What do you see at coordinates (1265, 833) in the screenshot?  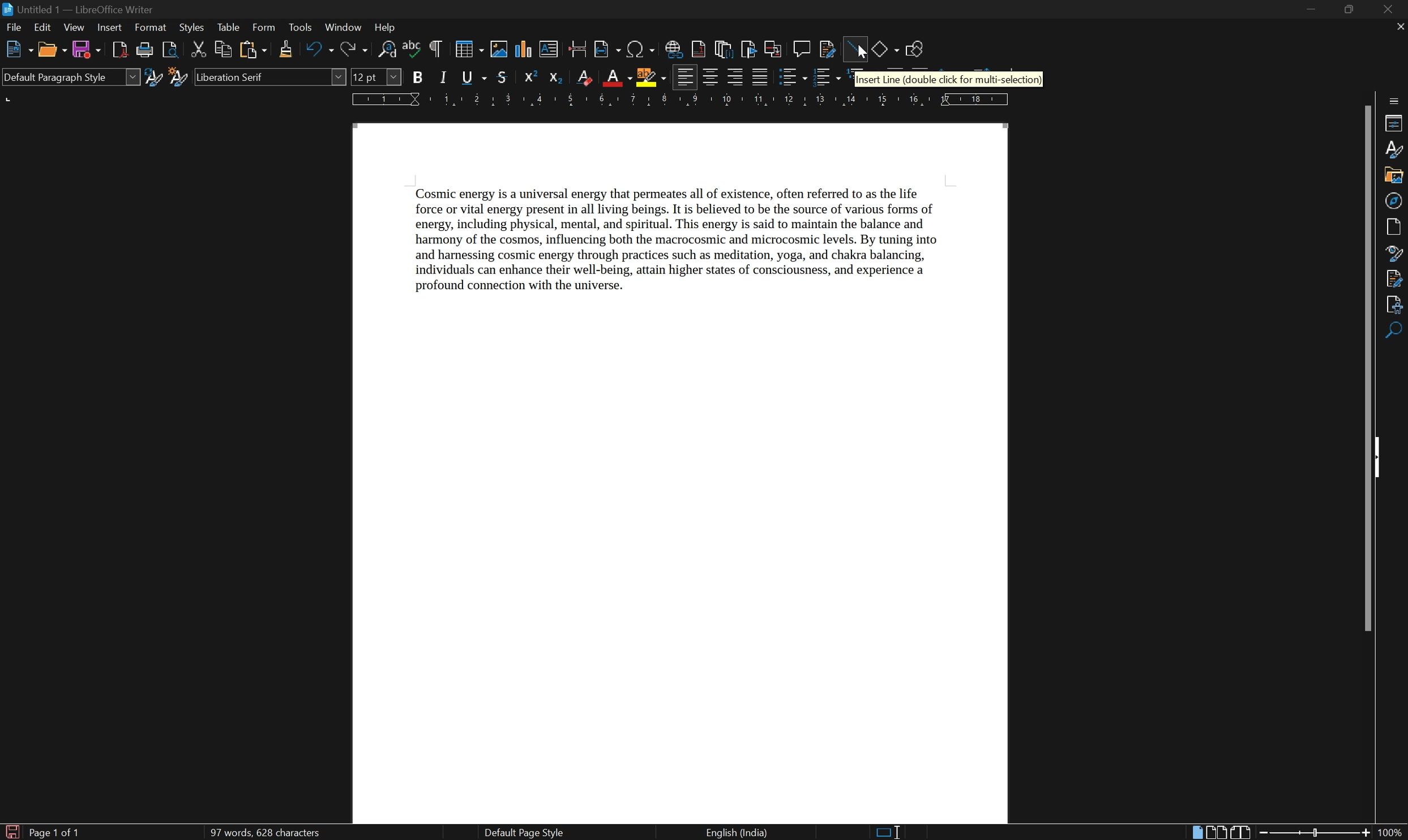 I see `zoom out` at bounding box center [1265, 833].